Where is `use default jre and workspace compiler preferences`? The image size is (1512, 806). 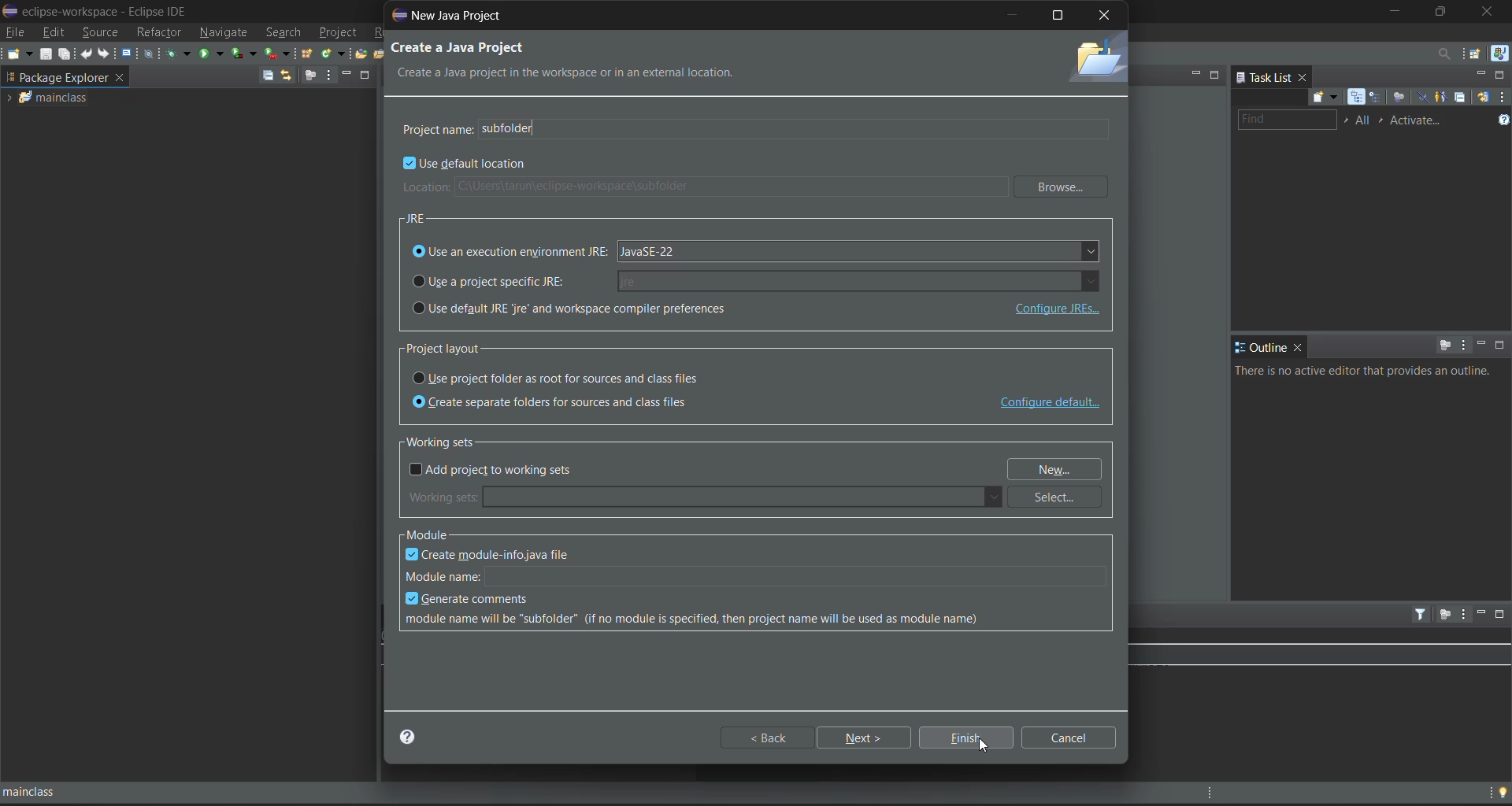 use default jre and workspace compiler preferences is located at coordinates (664, 309).